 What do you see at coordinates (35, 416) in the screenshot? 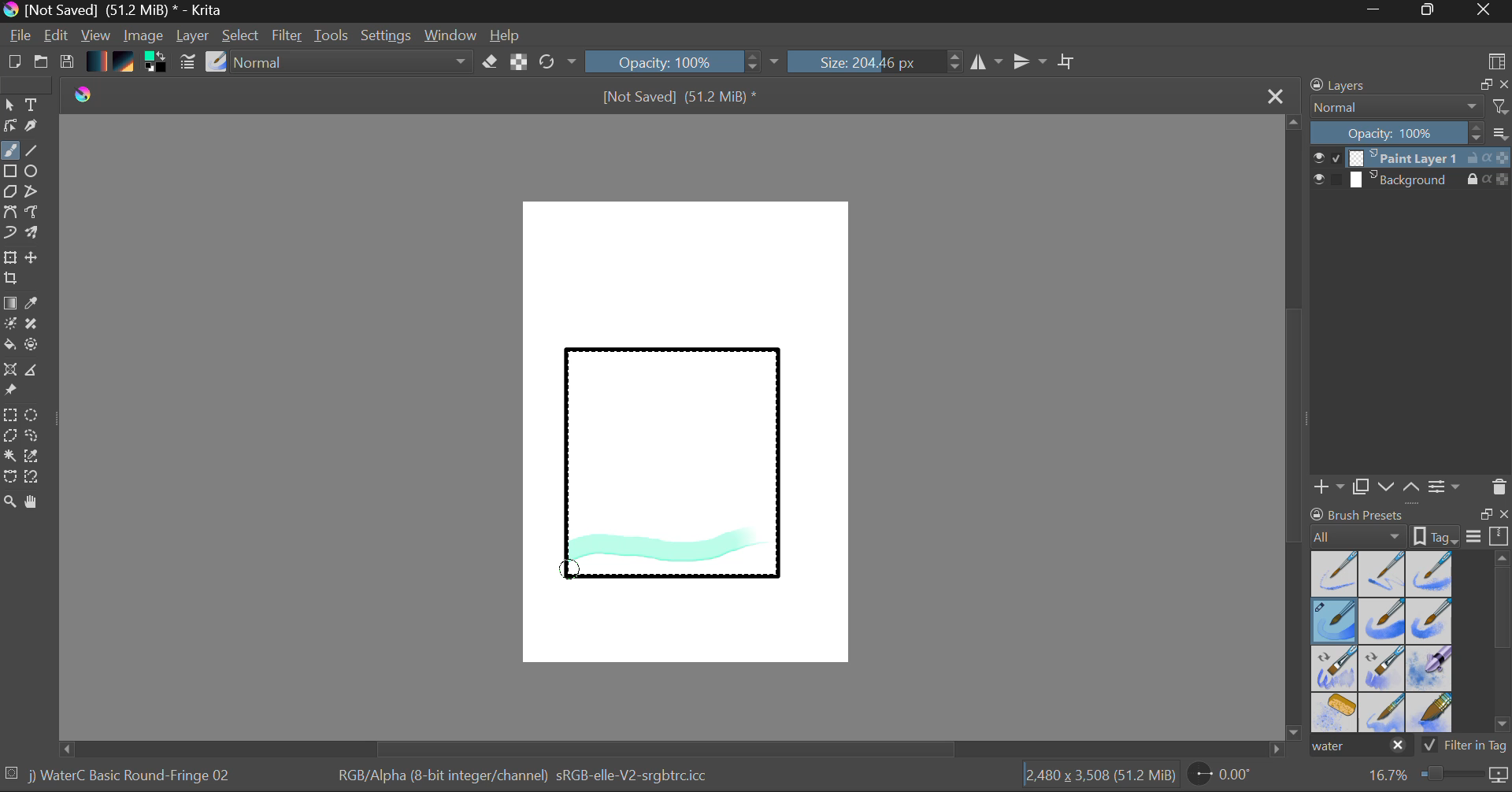
I see `Elipses Selection tool` at bounding box center [35, 416].